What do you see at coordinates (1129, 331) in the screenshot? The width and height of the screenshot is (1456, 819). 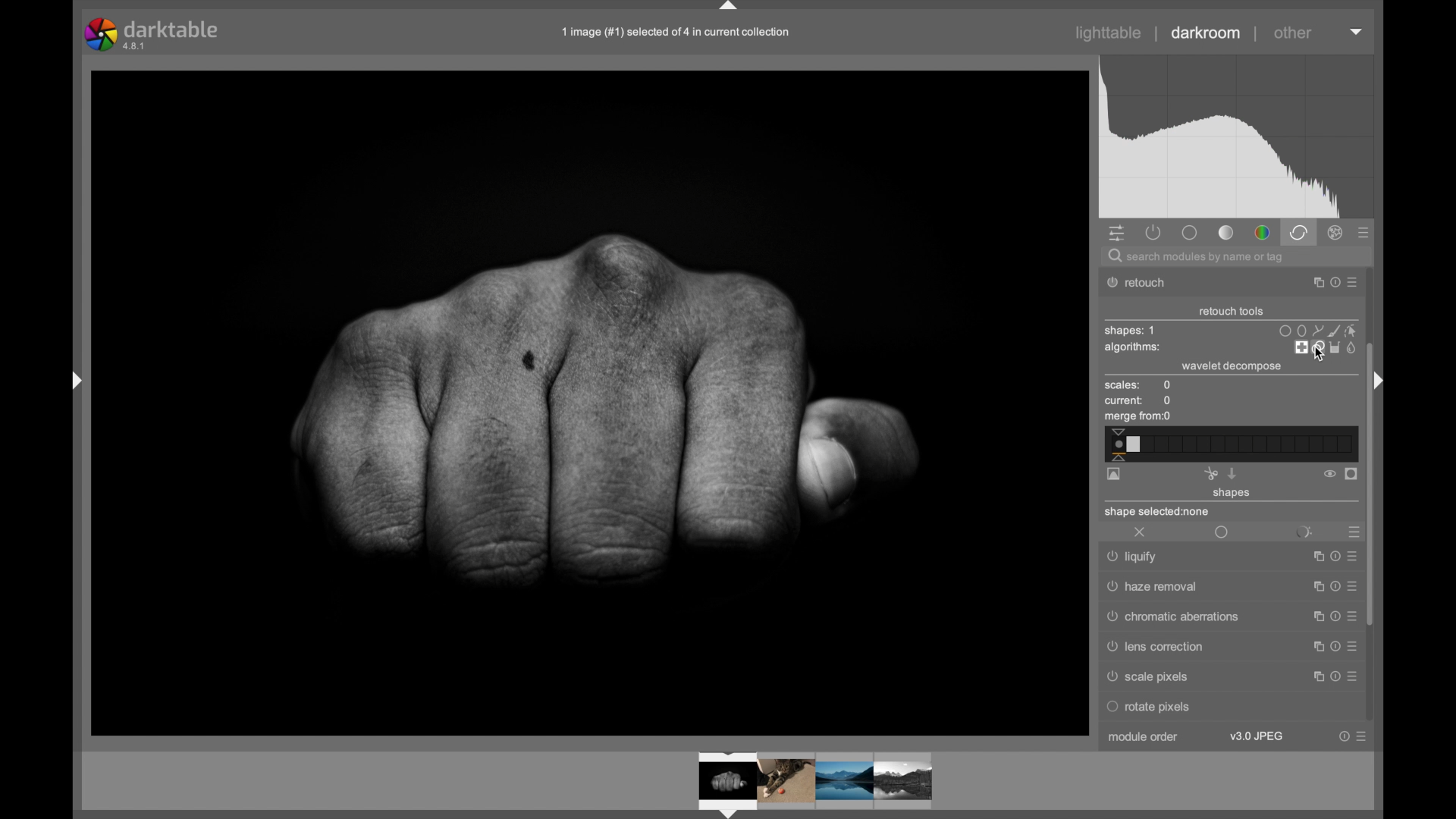 I see `shapes: 1` at bounding box center [1129, 331].